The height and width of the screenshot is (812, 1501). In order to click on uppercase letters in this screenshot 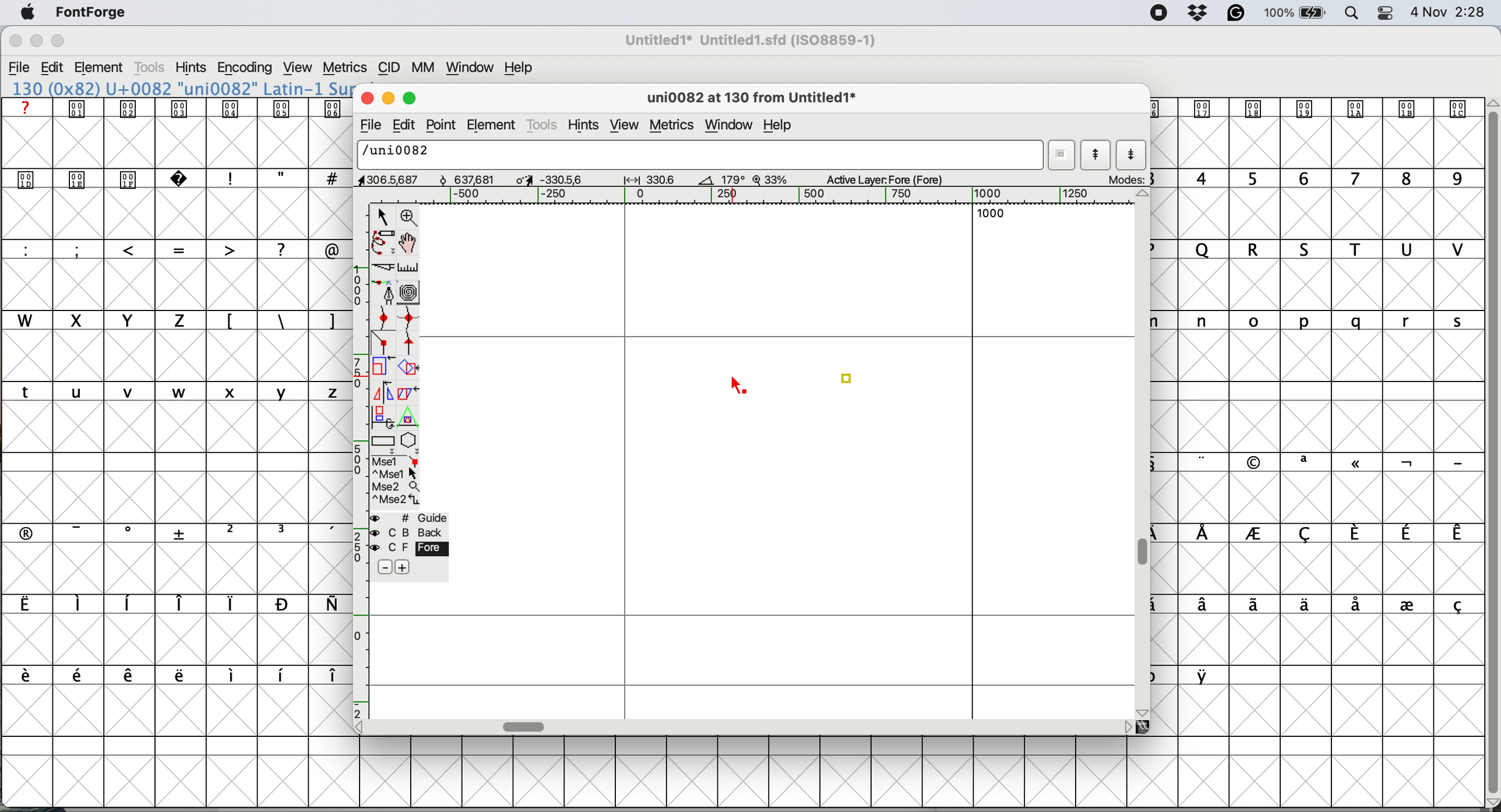, I will do `click(103, 320)`.